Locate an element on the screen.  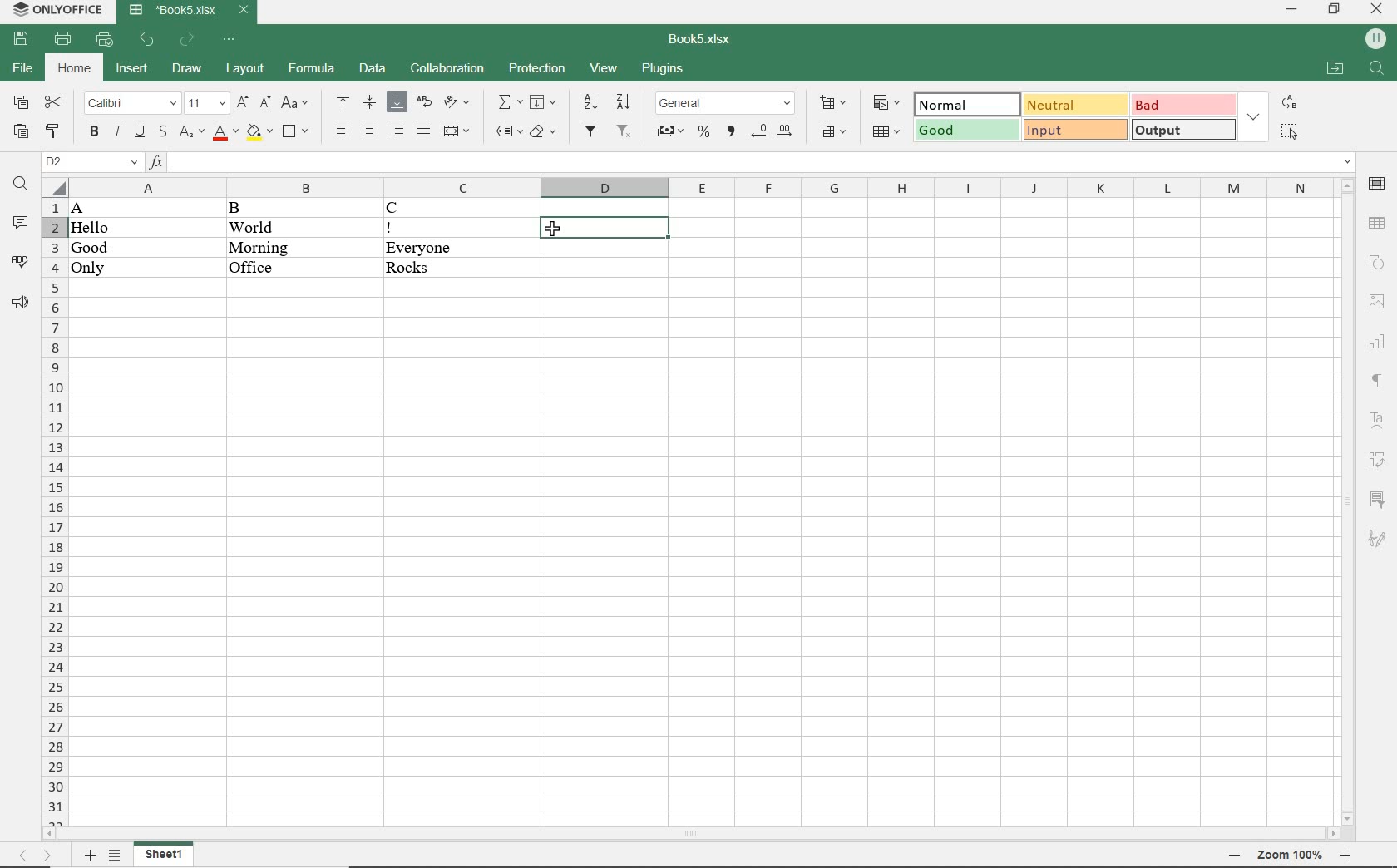
paragraph settings is located at coordinates (1378, 381).